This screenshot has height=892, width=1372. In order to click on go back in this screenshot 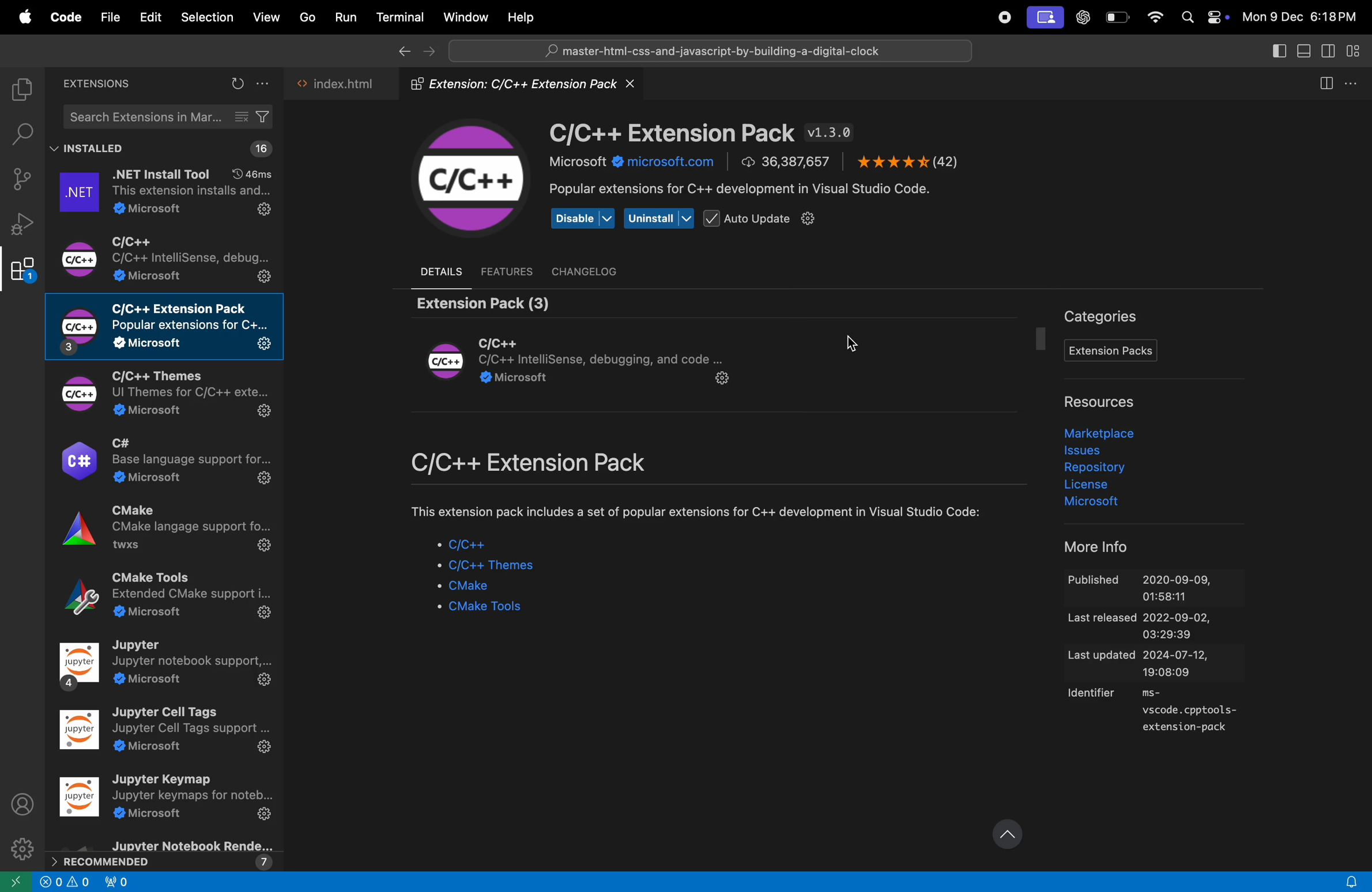, I will do `click(402, 50)`.